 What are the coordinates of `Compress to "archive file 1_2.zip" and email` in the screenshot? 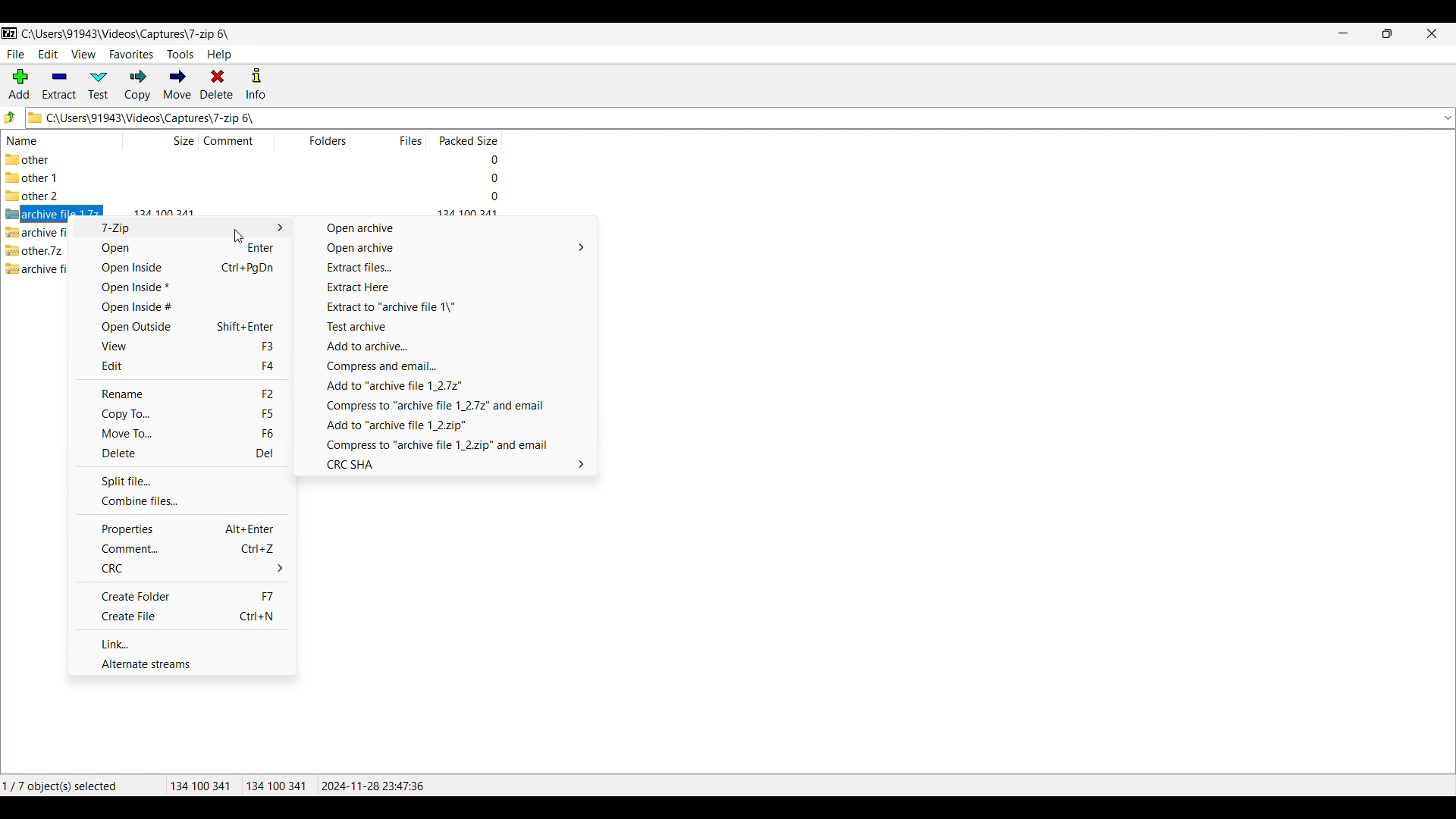 It's located at (450, 445).